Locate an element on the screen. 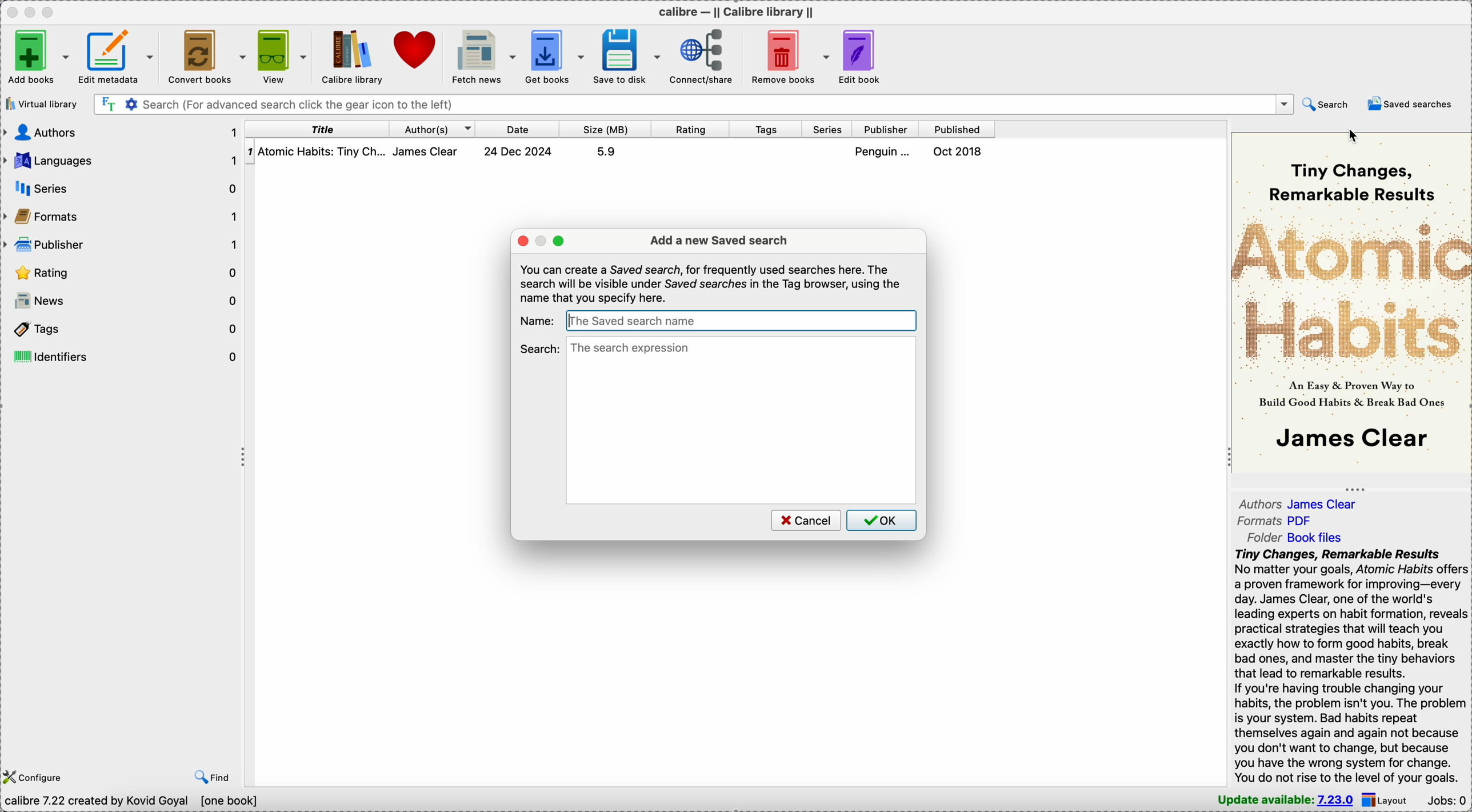 This screenshot has width=1472, height=812. authors is located at coordinates (433, 129).